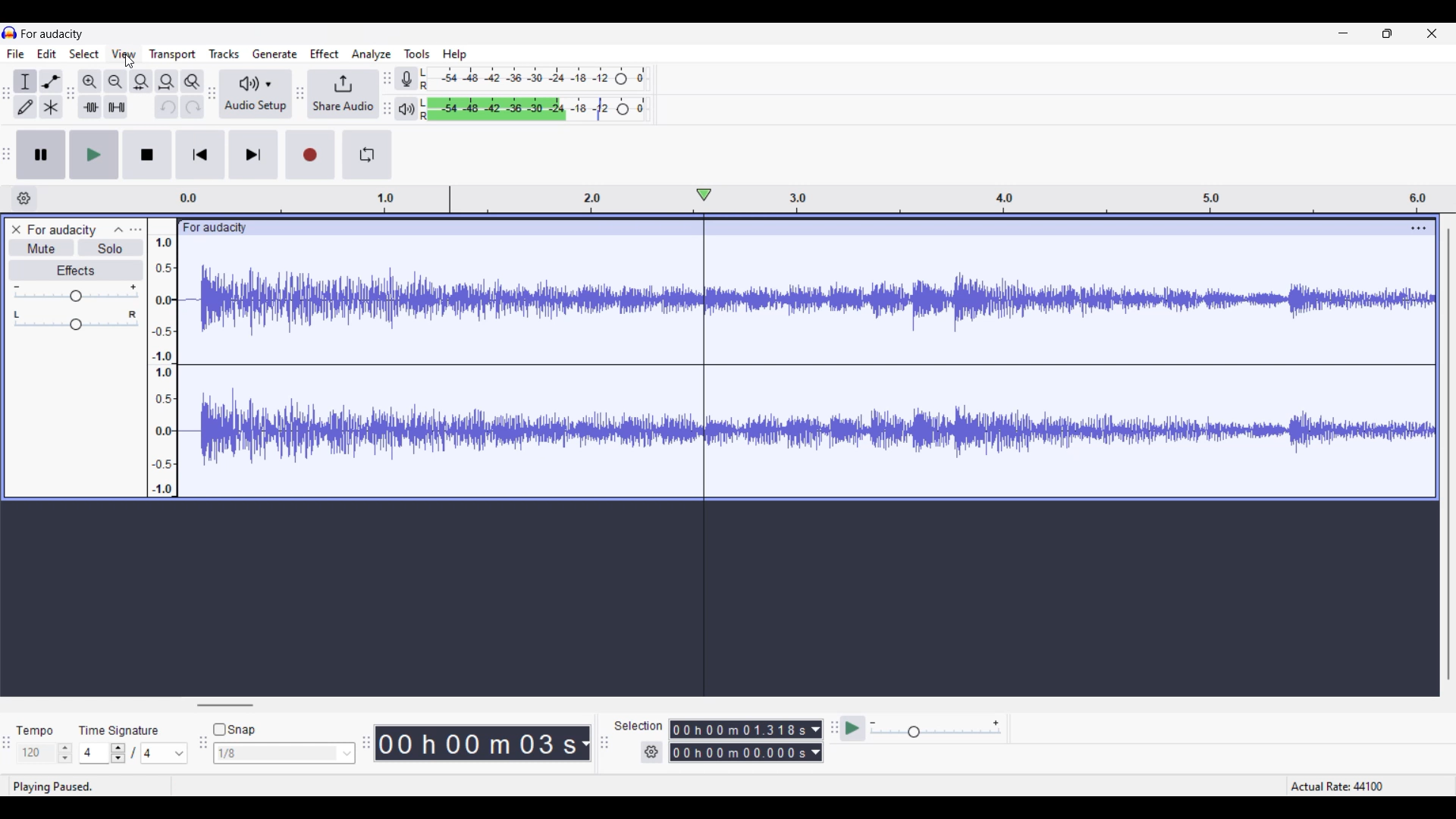 This screenshot has height=819, width=1456. Describe the element at coordinates (284, 753) in the screenshot. I see `Snap options` at that location.